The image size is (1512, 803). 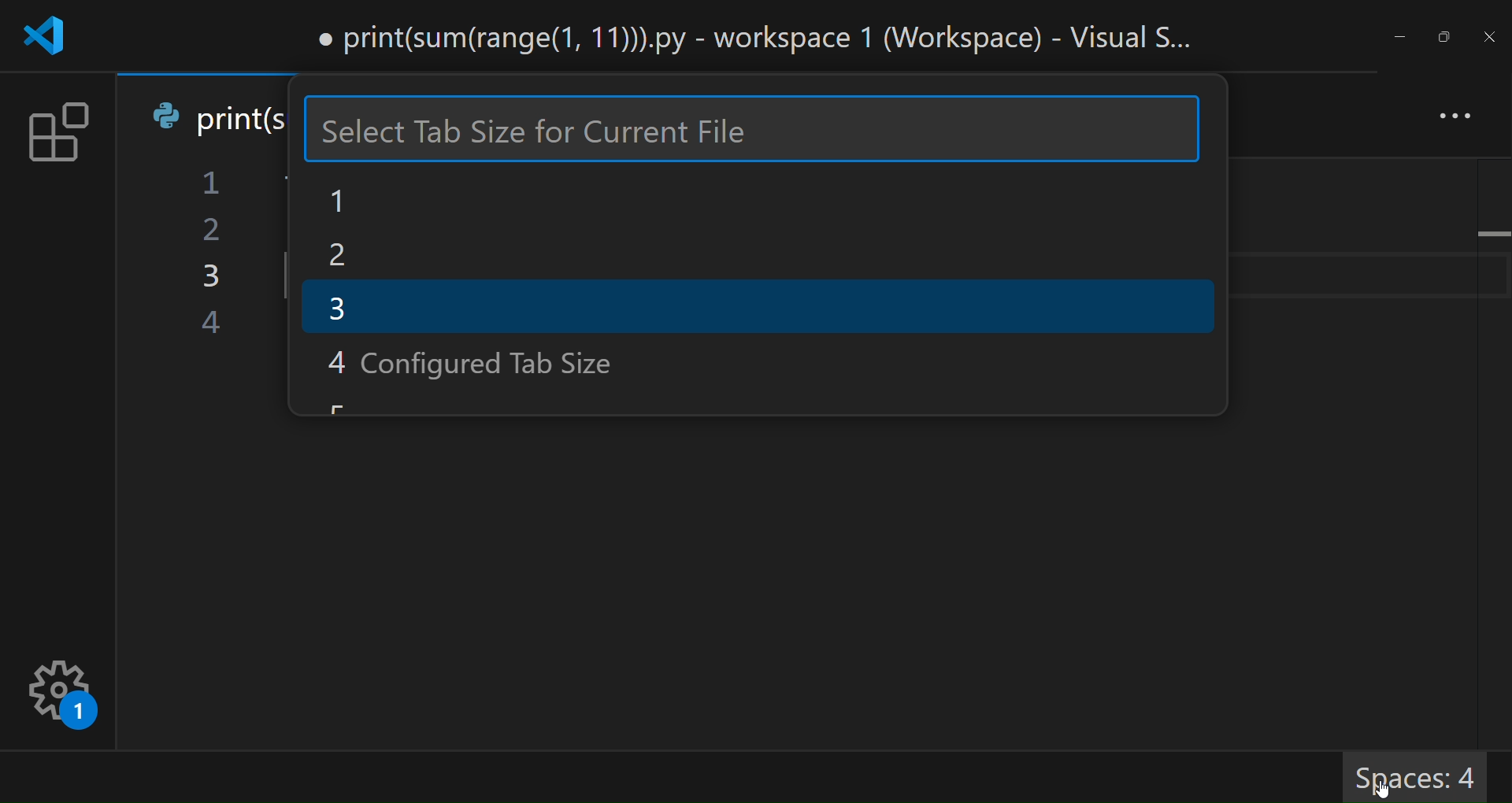 I want to click on scroll bar, so click(x=1214, y=238).